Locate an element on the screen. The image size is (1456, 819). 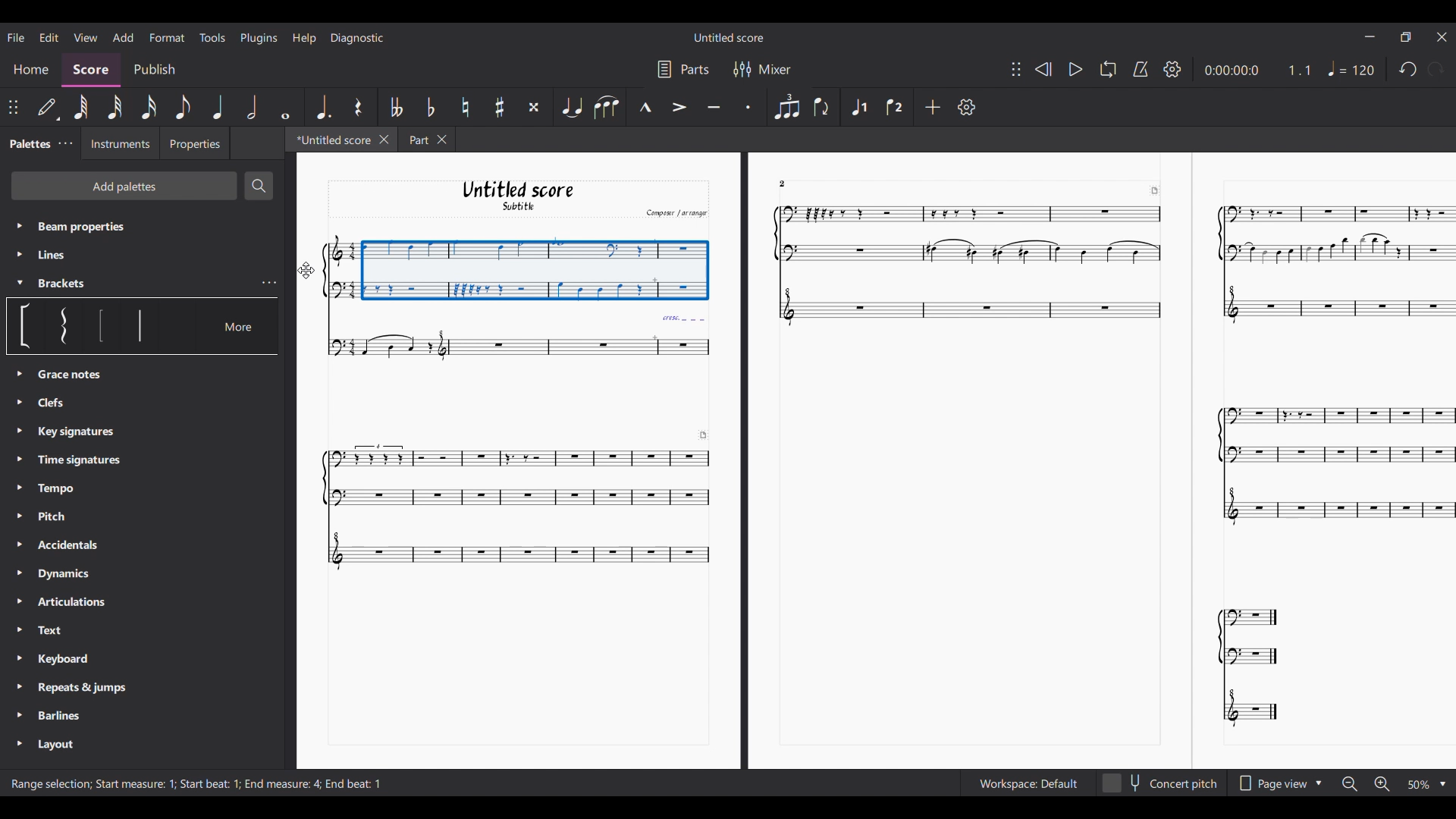
 is located at coordinates (18, 516).